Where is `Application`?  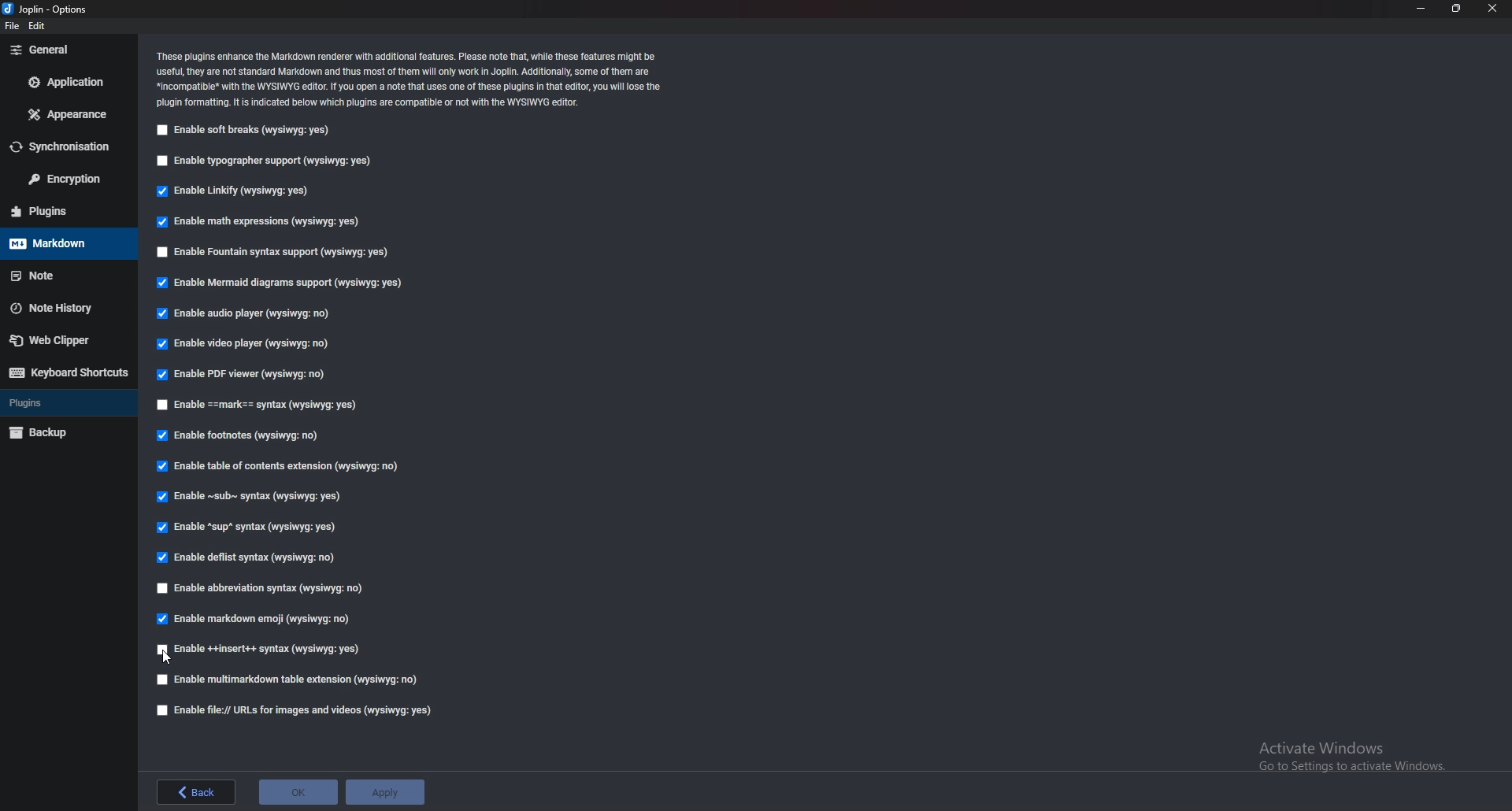 Application is located at coordinates (68, 82).